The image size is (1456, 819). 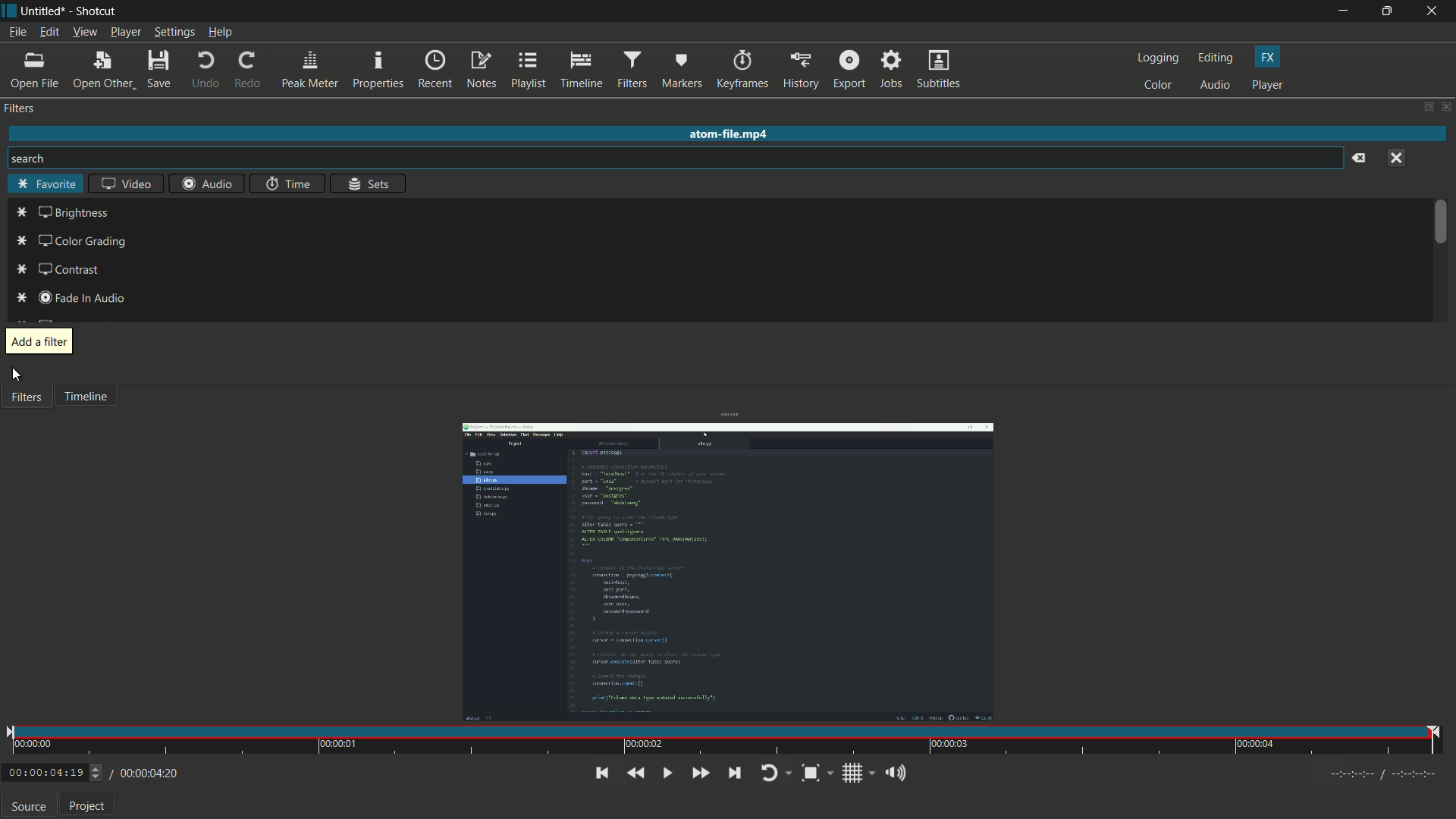 I want to click on audio, so click(x=206, y=183).